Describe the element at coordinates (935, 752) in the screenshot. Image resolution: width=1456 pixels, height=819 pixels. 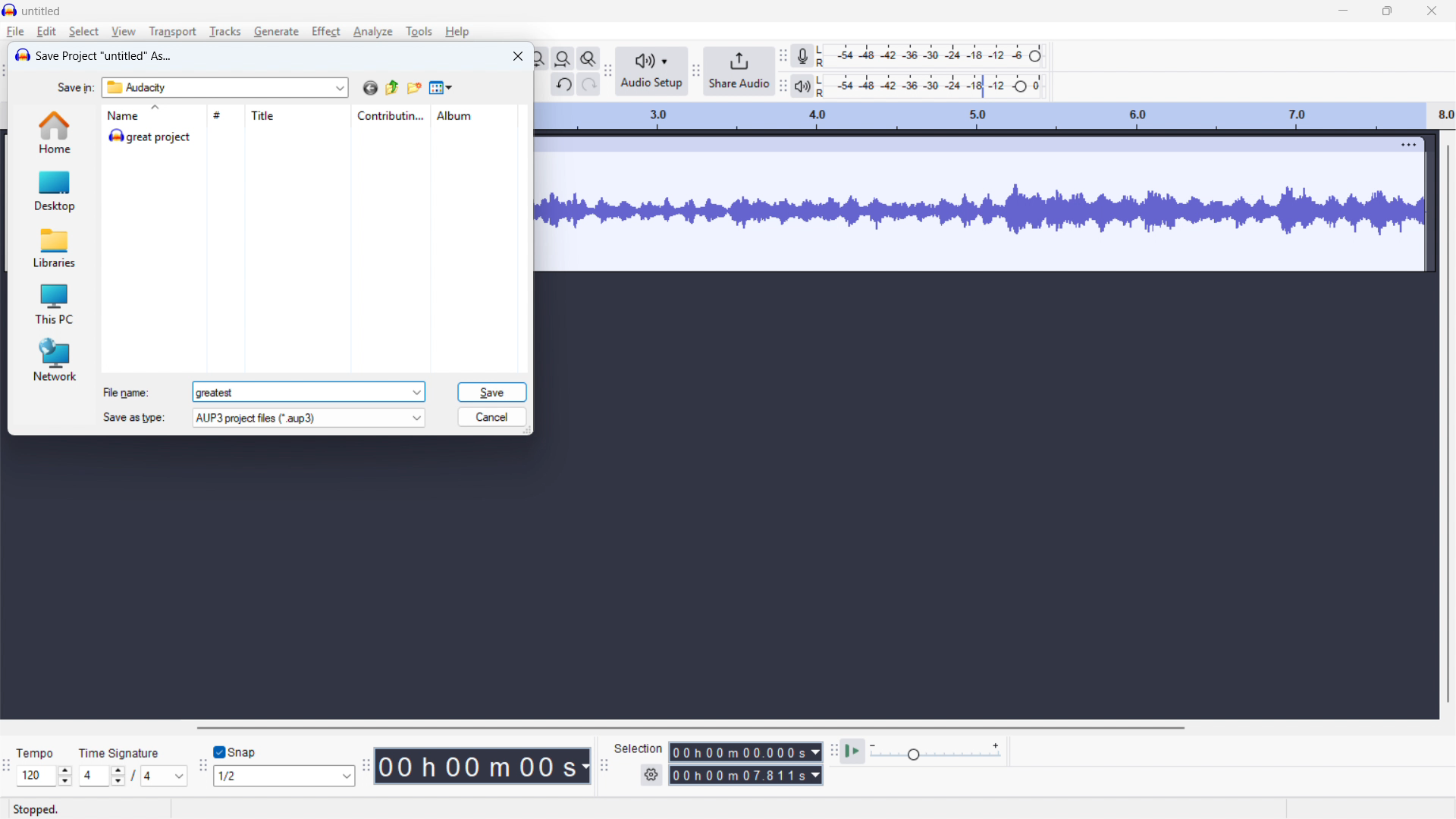
I see `playback speed` at that location.